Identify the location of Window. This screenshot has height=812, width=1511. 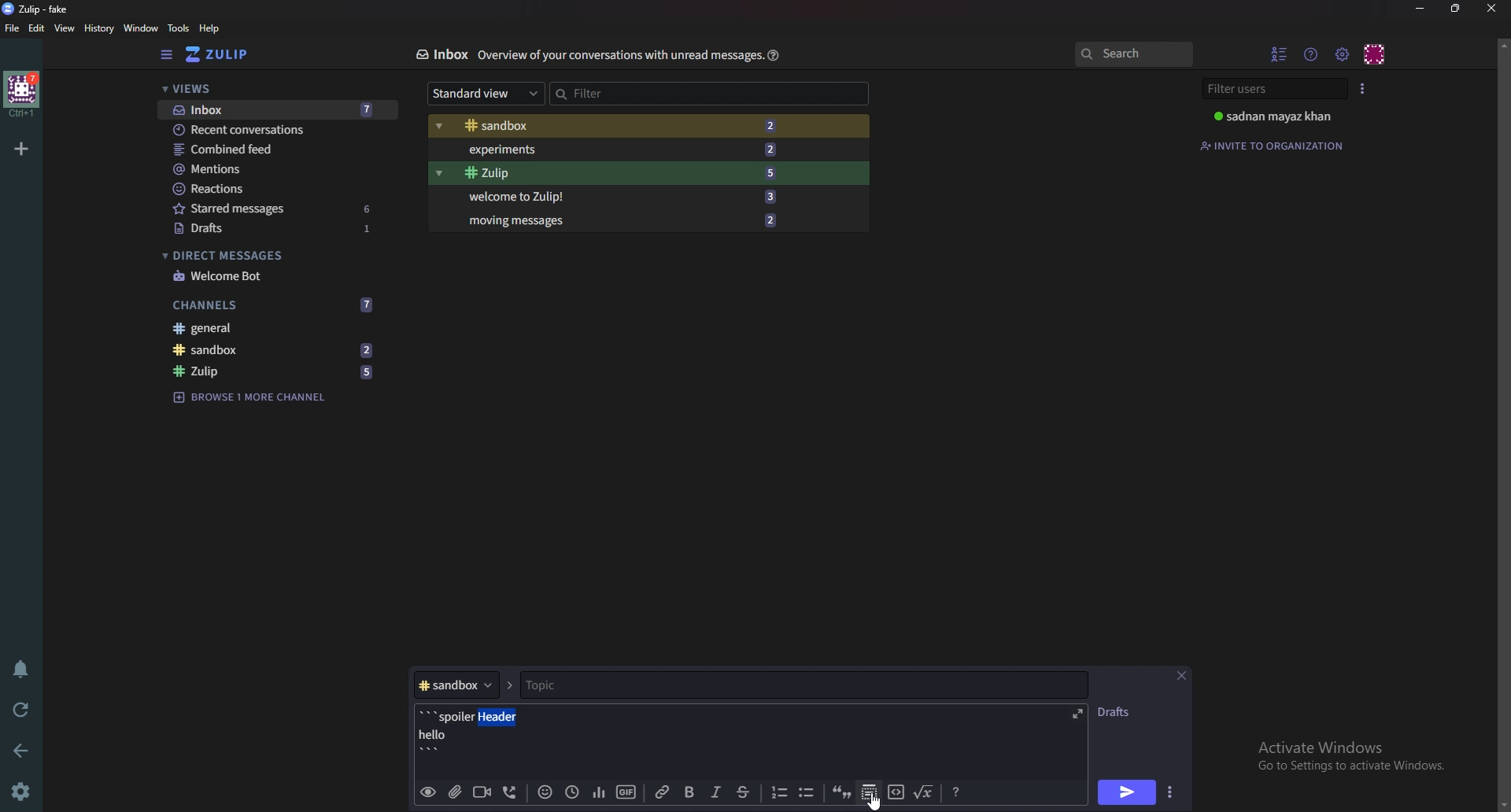
(142, 28).